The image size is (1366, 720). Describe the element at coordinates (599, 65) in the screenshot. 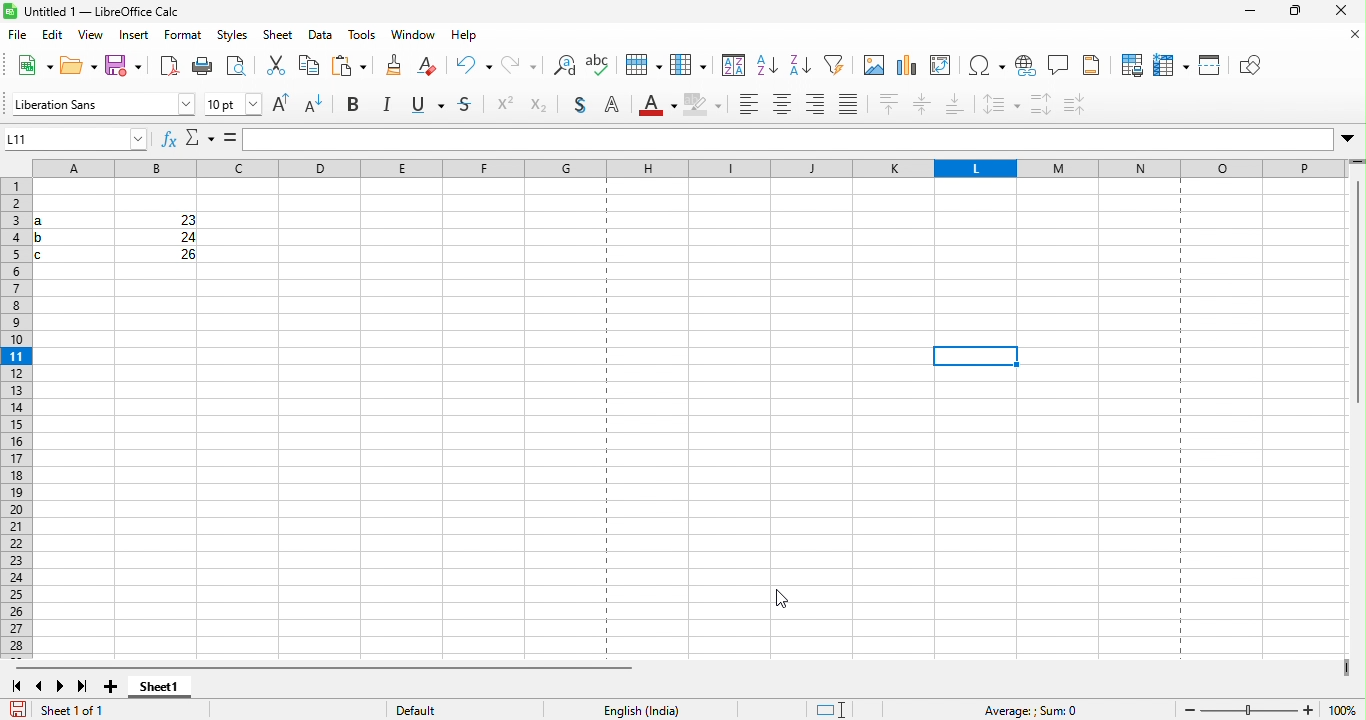

I see `row` at that location.